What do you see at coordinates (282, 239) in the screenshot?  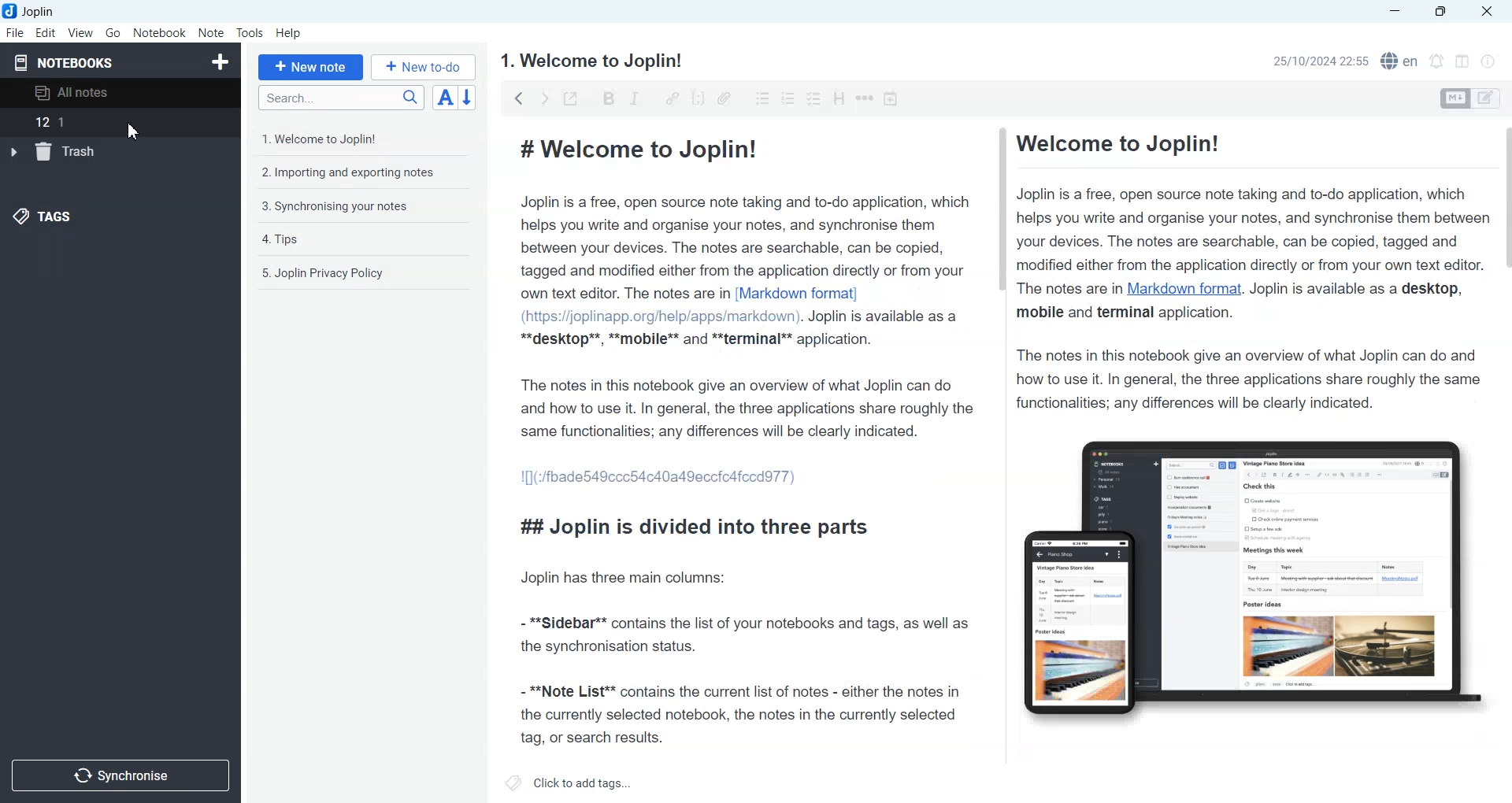 I see `4. Tips` at bounding box center [282, 239].